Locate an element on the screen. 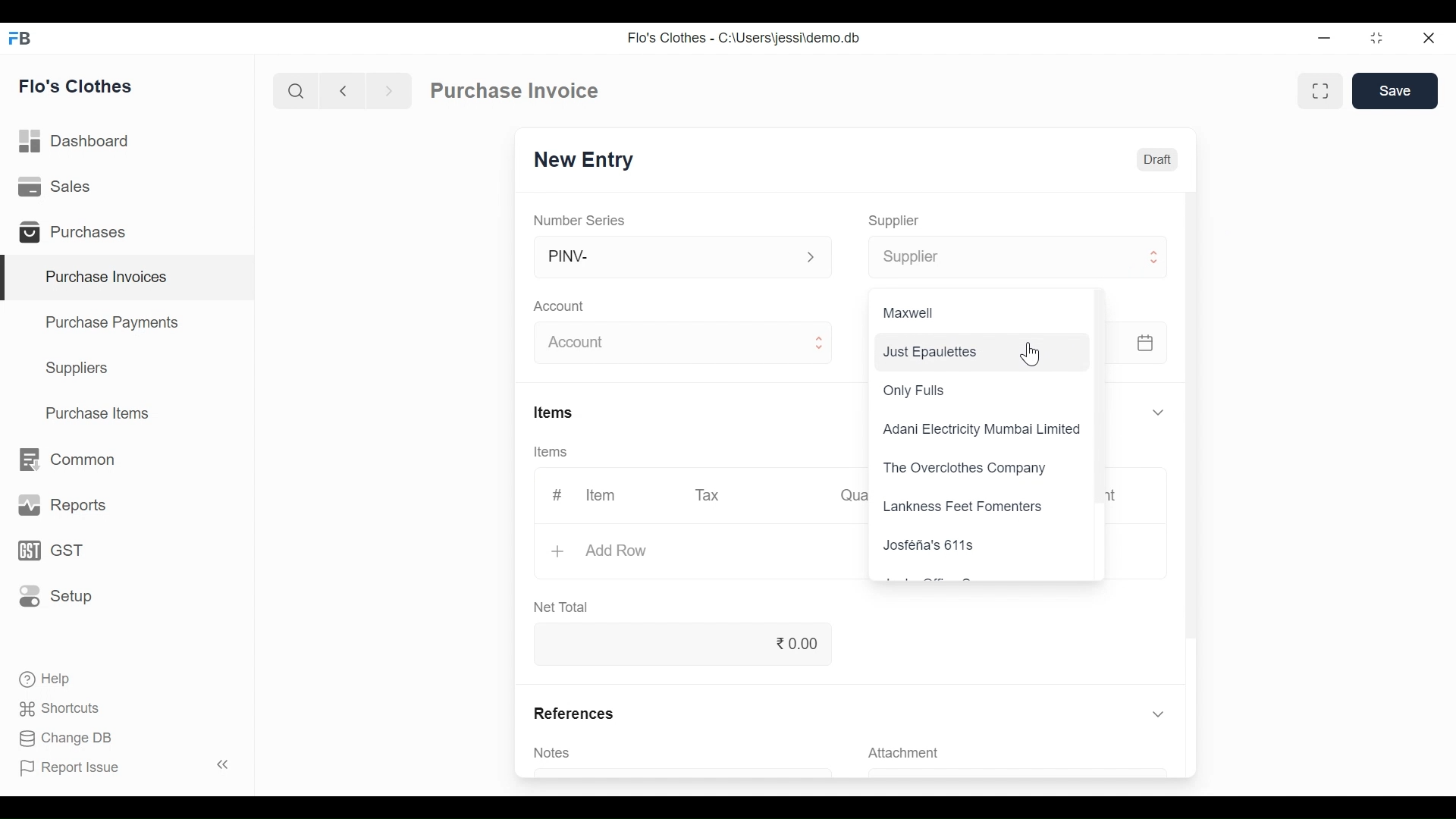 The height and width of the screenshot is (819, 1456). Vertical scroll bar is located at coordinates (1103, 398).